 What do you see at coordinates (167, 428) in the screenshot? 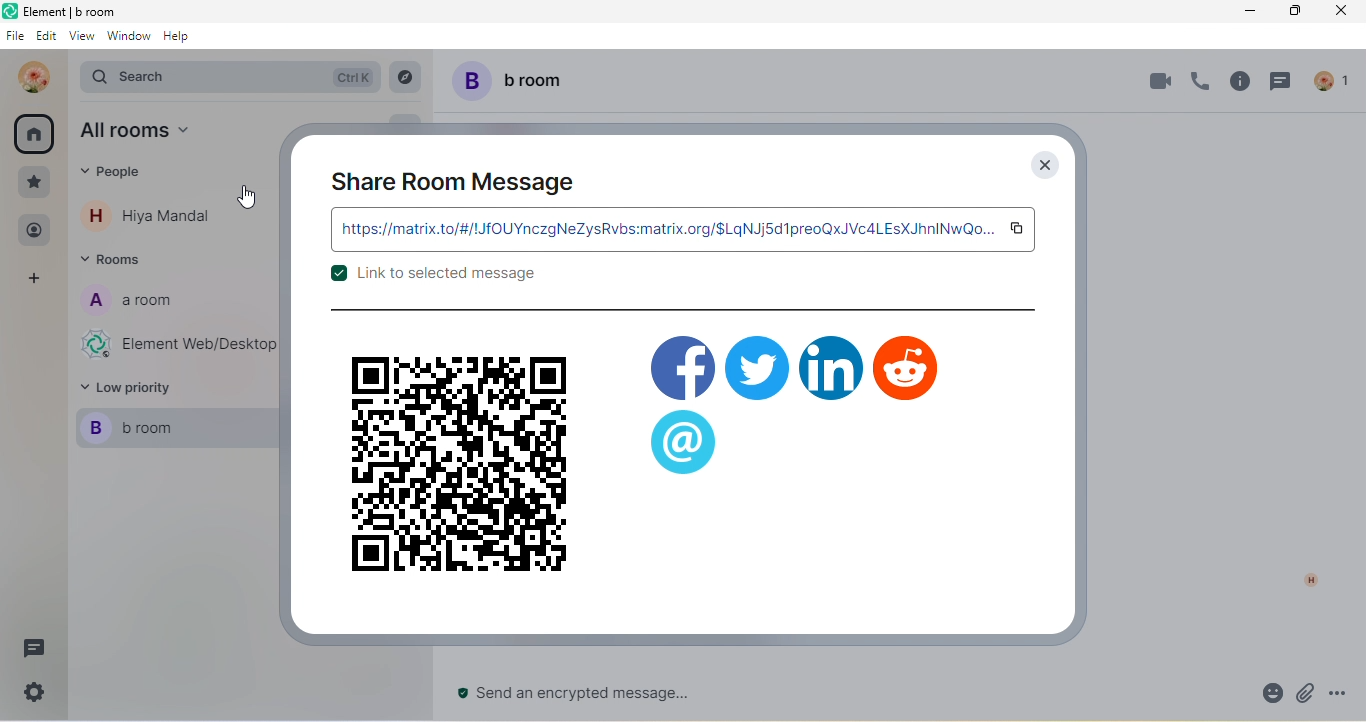
I see `b room` at bounding box center [167, 428].